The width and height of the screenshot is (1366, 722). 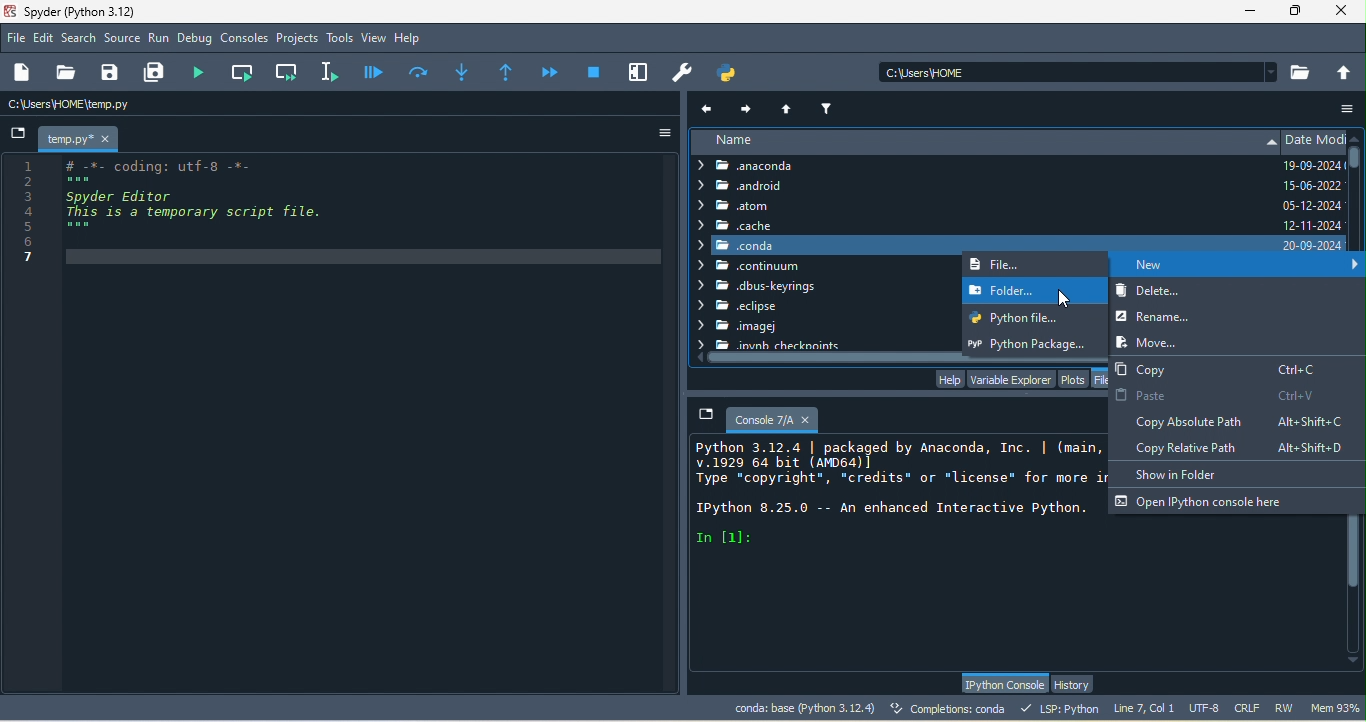 I want to click on debug, so click(x=197, y=40).